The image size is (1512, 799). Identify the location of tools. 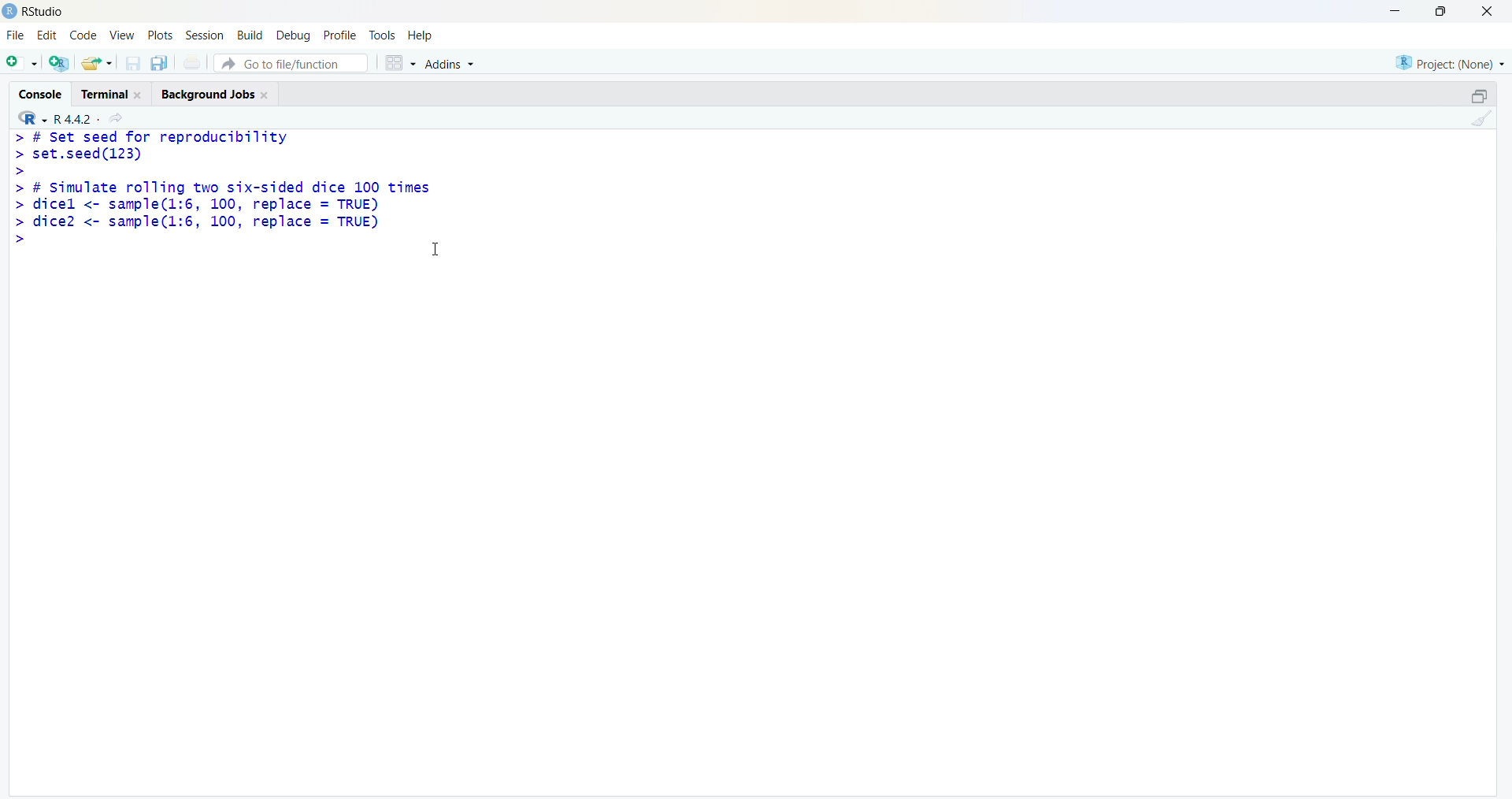
(383, 36).